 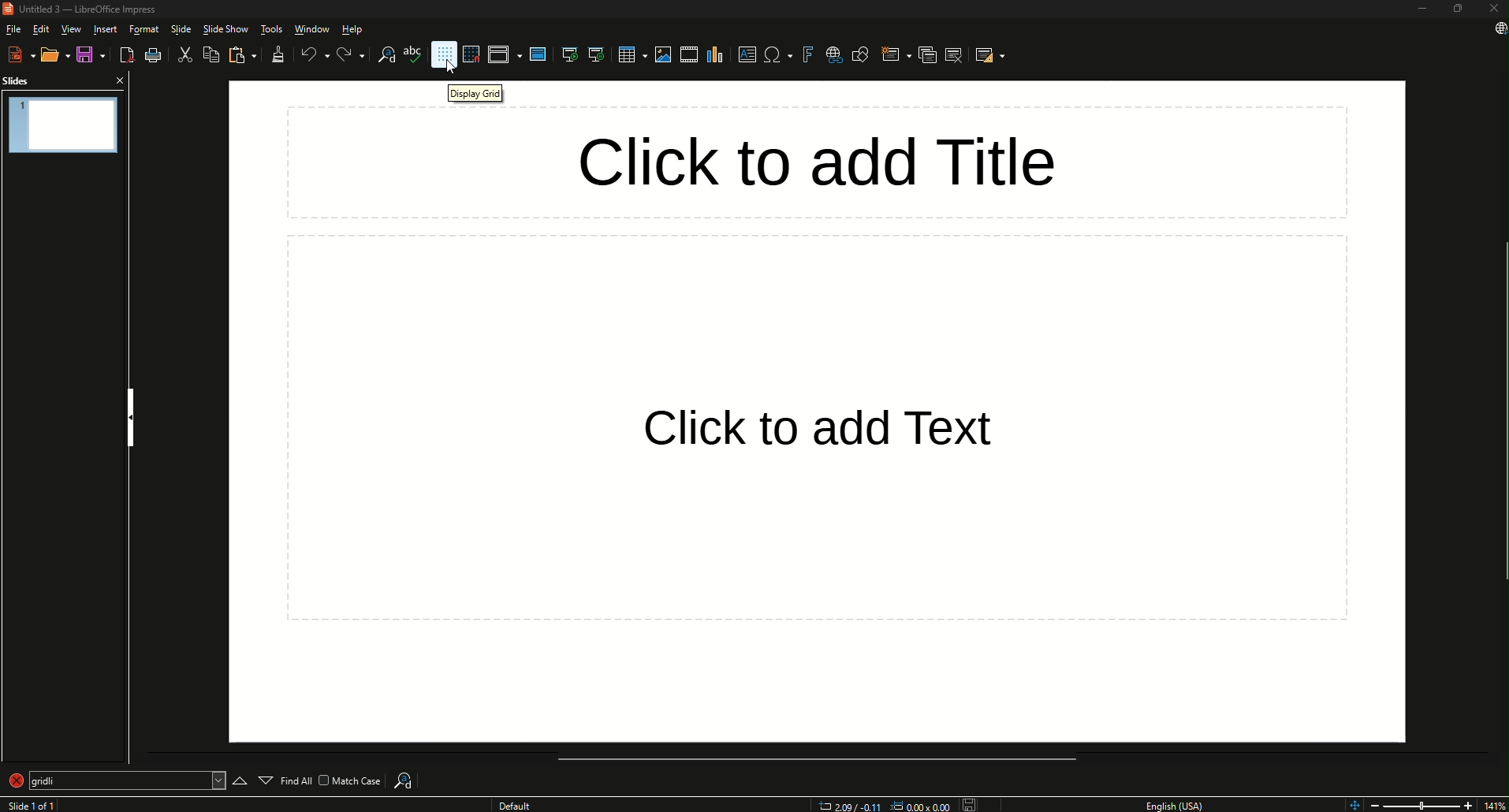 I want to click on Find all match case, so click(x=333, y=780).